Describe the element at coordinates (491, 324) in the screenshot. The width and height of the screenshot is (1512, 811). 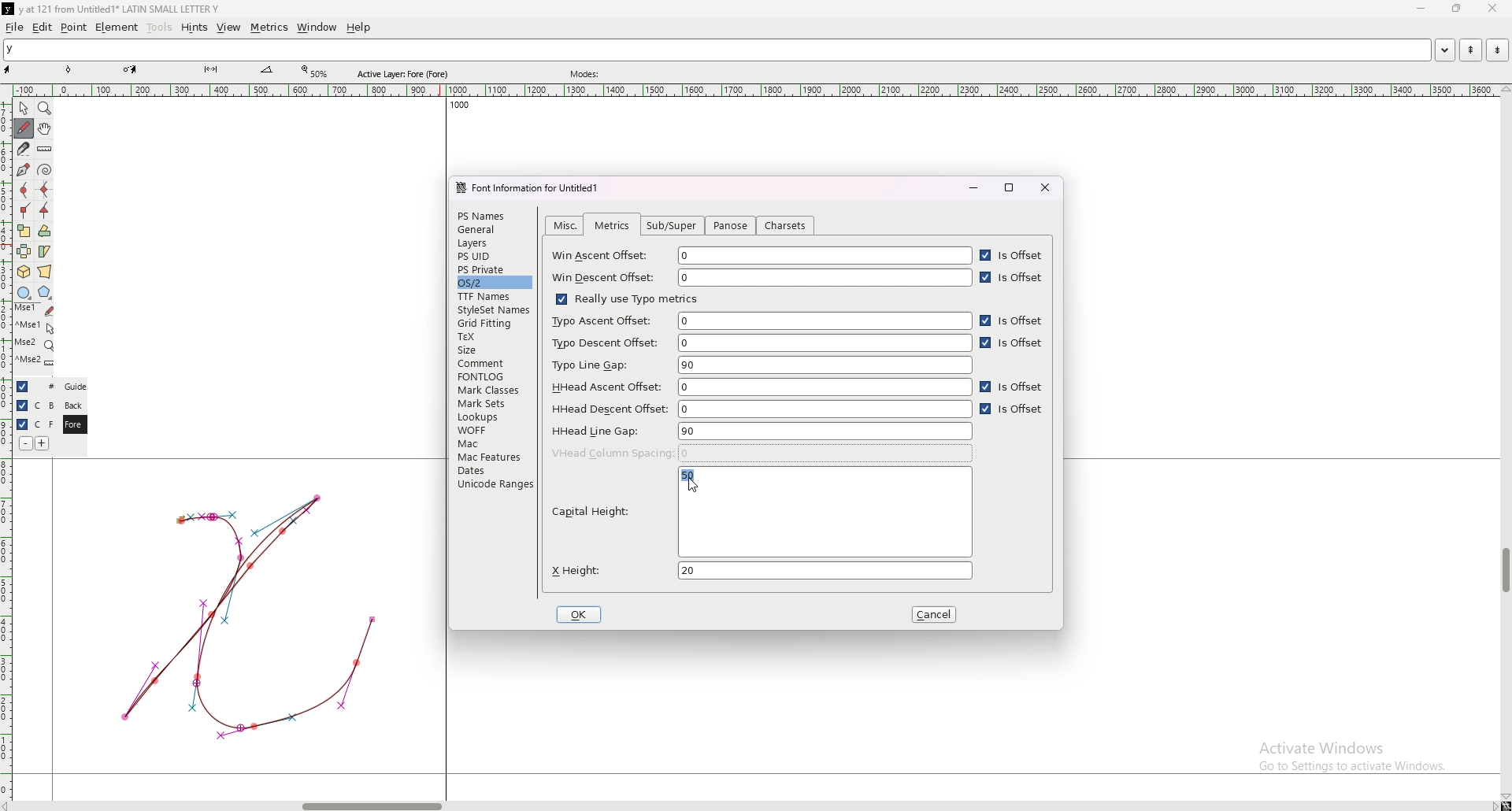
I see `grid fitting` at that location.